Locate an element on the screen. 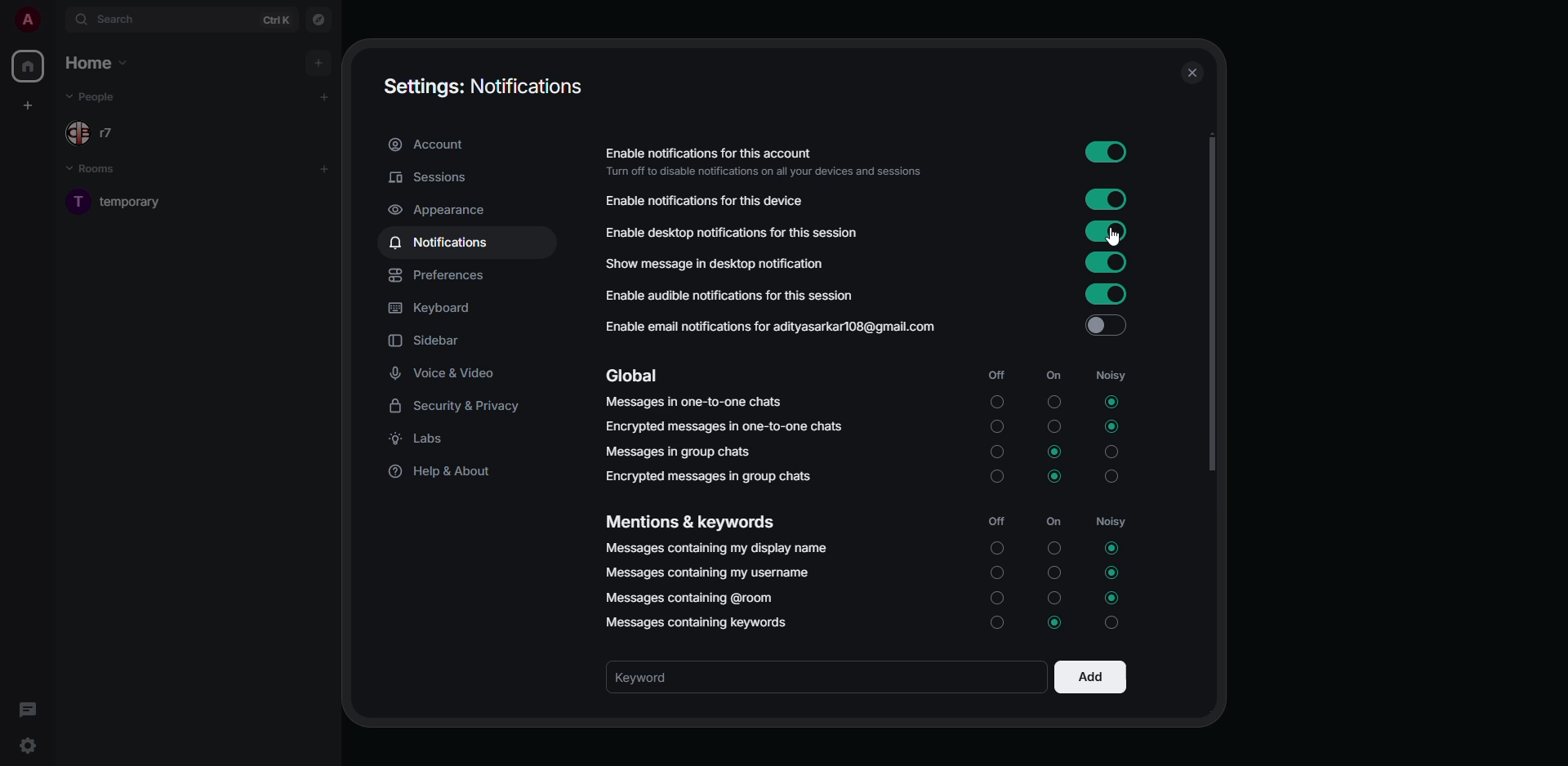  close is located at coordinates (1191, 75).